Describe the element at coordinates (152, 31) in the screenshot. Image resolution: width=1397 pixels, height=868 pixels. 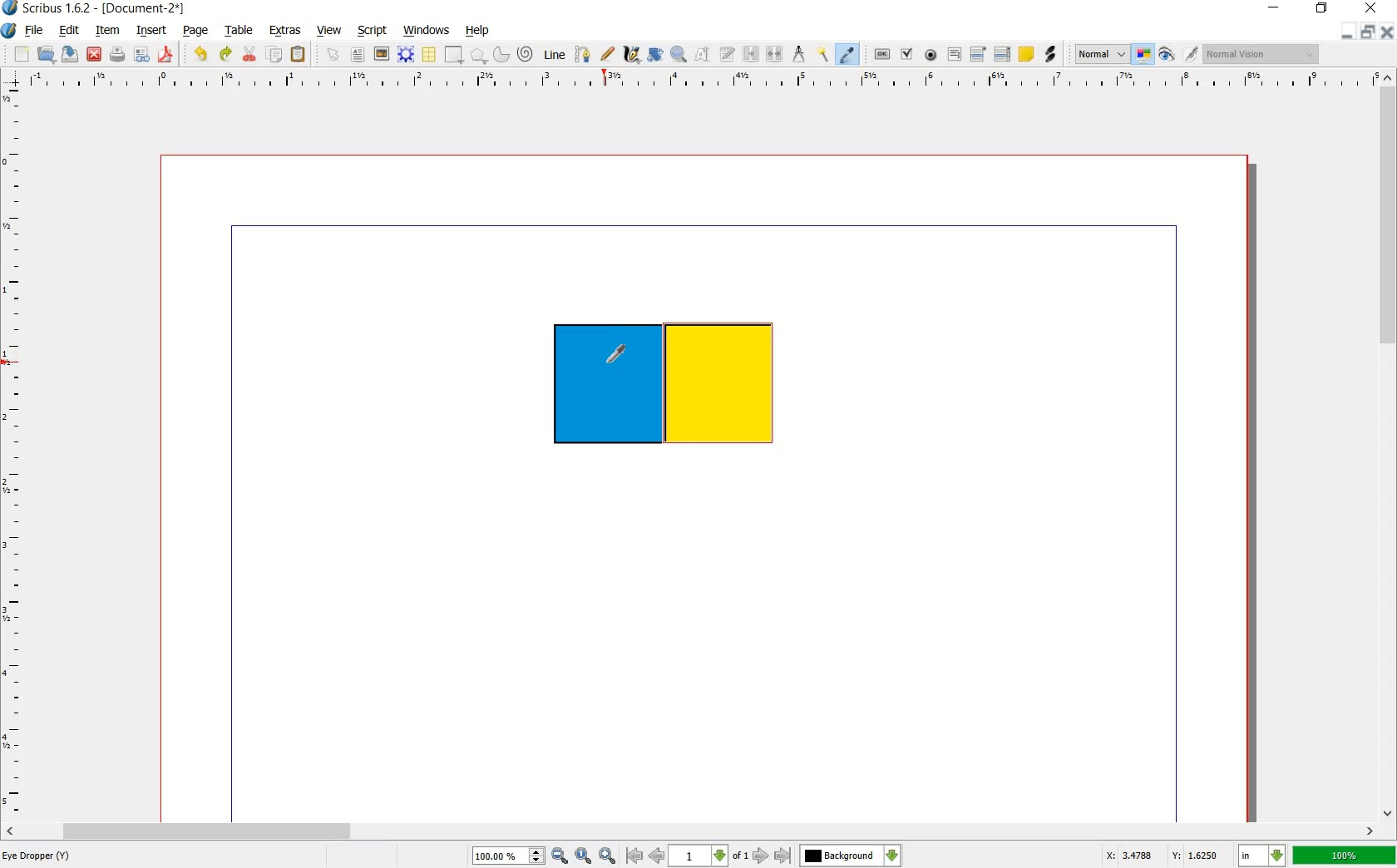
I see `insert` at that location.